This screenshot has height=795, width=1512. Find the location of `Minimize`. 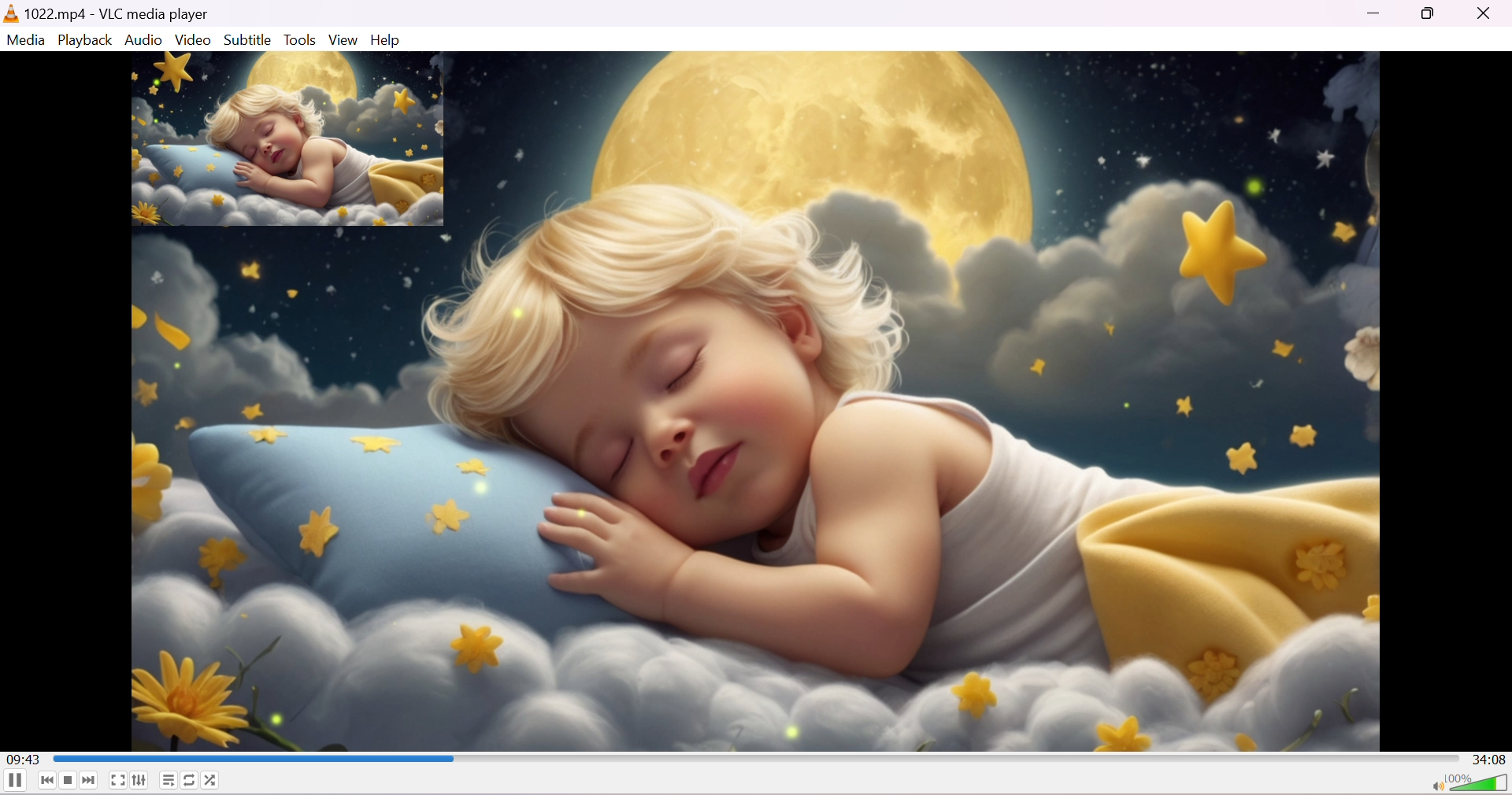

Minimize is located at coordinates (1375, 18).